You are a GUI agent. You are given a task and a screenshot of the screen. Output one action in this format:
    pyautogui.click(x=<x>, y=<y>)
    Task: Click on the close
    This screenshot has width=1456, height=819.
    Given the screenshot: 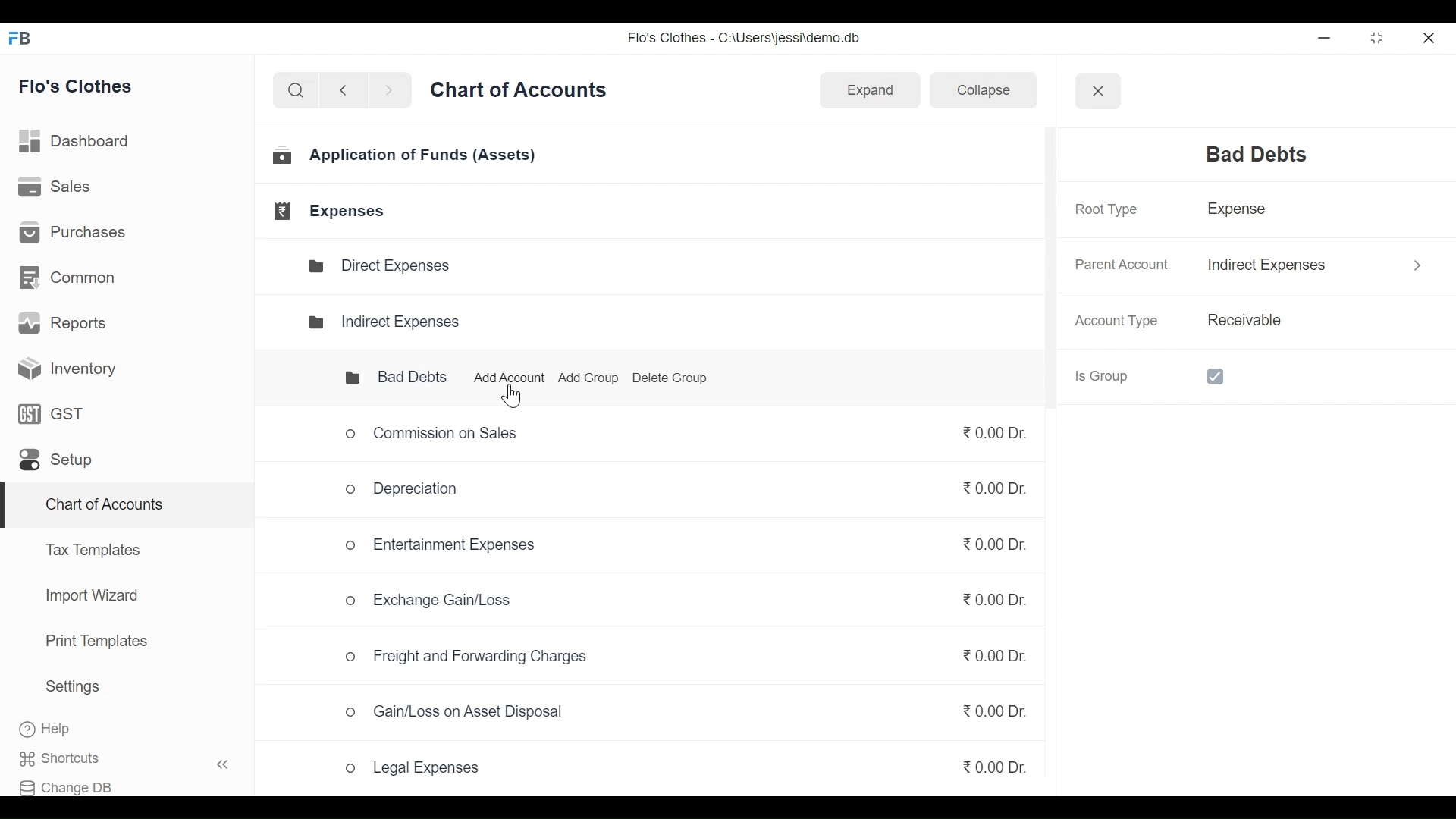 What is the action you would take?
    pyautogui.click(x=1430, y=36)
    